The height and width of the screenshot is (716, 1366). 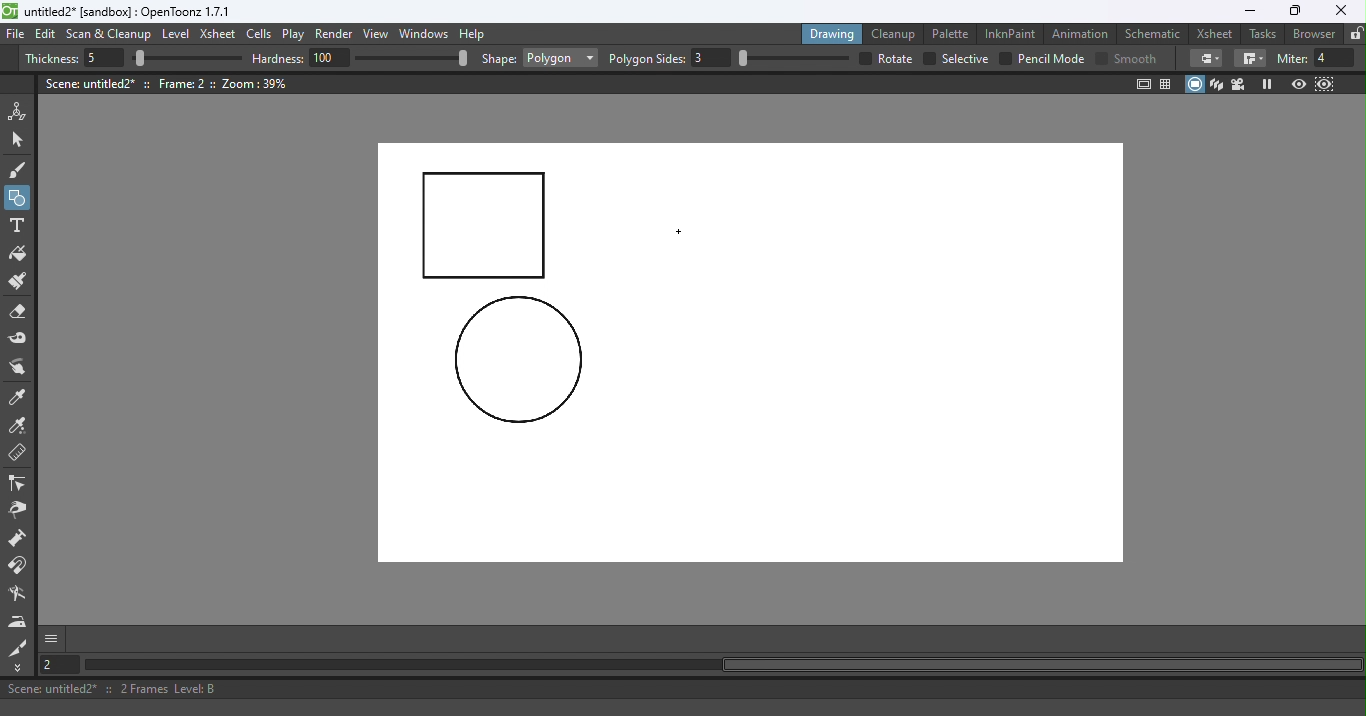 I want to click on Status bar, so click(x=683, y=689).